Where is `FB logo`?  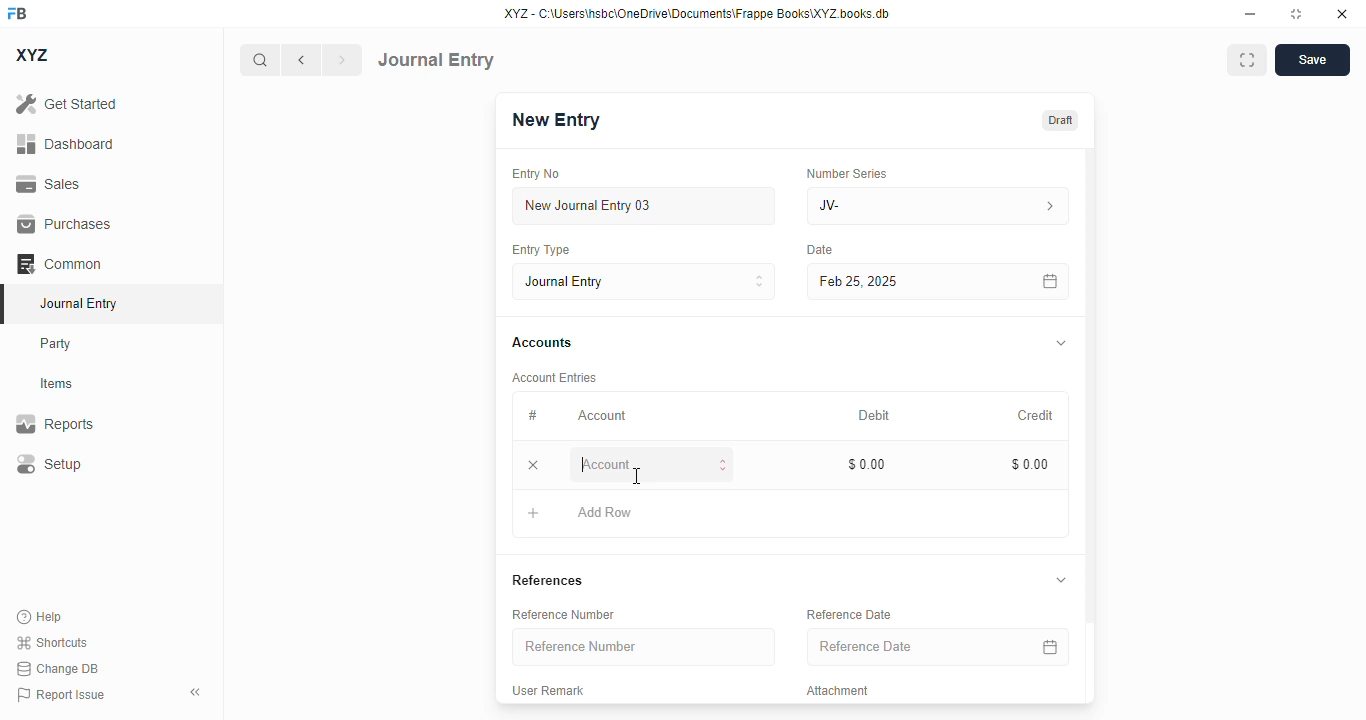
FB logo is located at coordinates (17, 12).